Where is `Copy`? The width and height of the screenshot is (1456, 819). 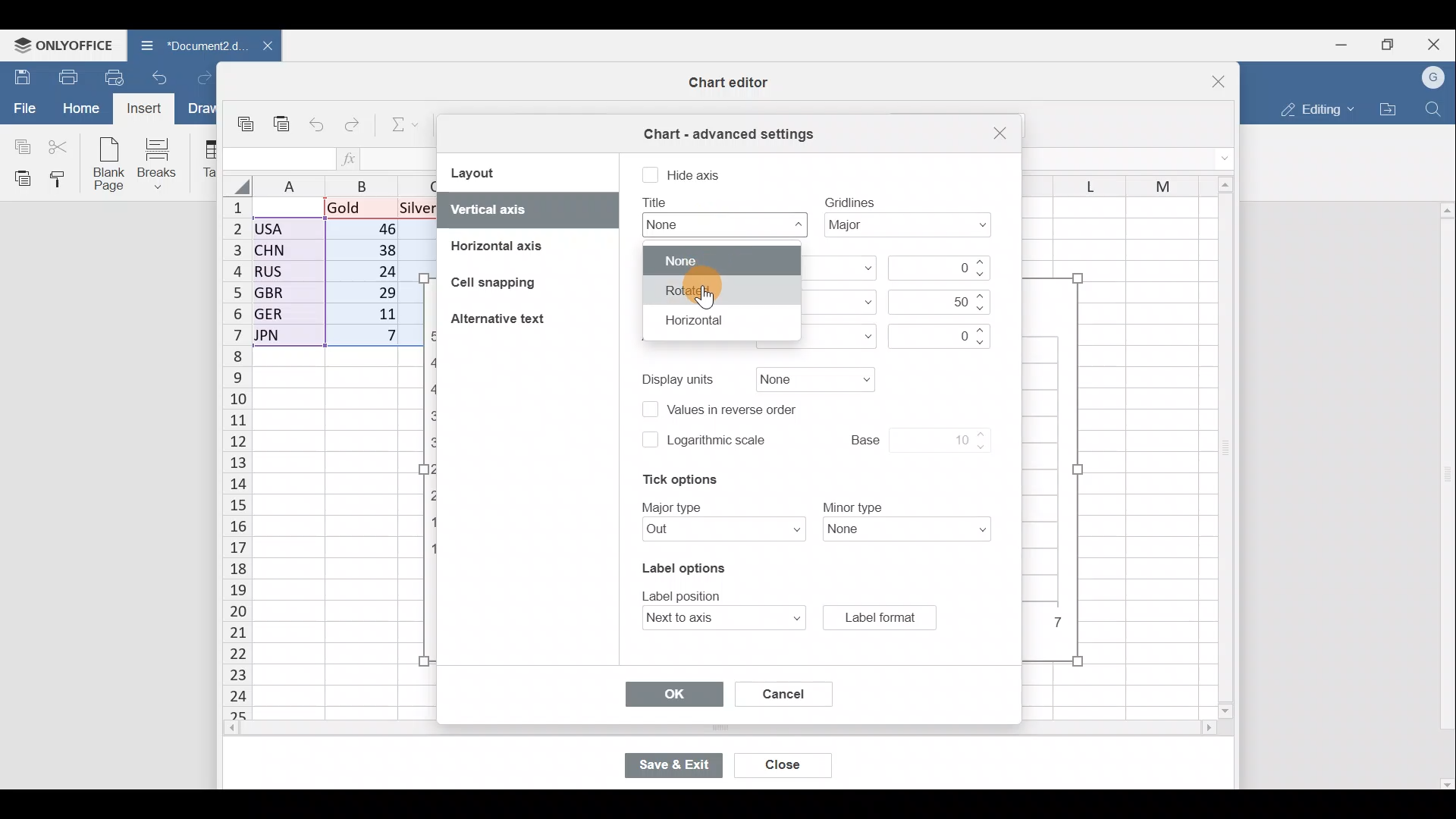
Copy is located at coordinates (247, 118).